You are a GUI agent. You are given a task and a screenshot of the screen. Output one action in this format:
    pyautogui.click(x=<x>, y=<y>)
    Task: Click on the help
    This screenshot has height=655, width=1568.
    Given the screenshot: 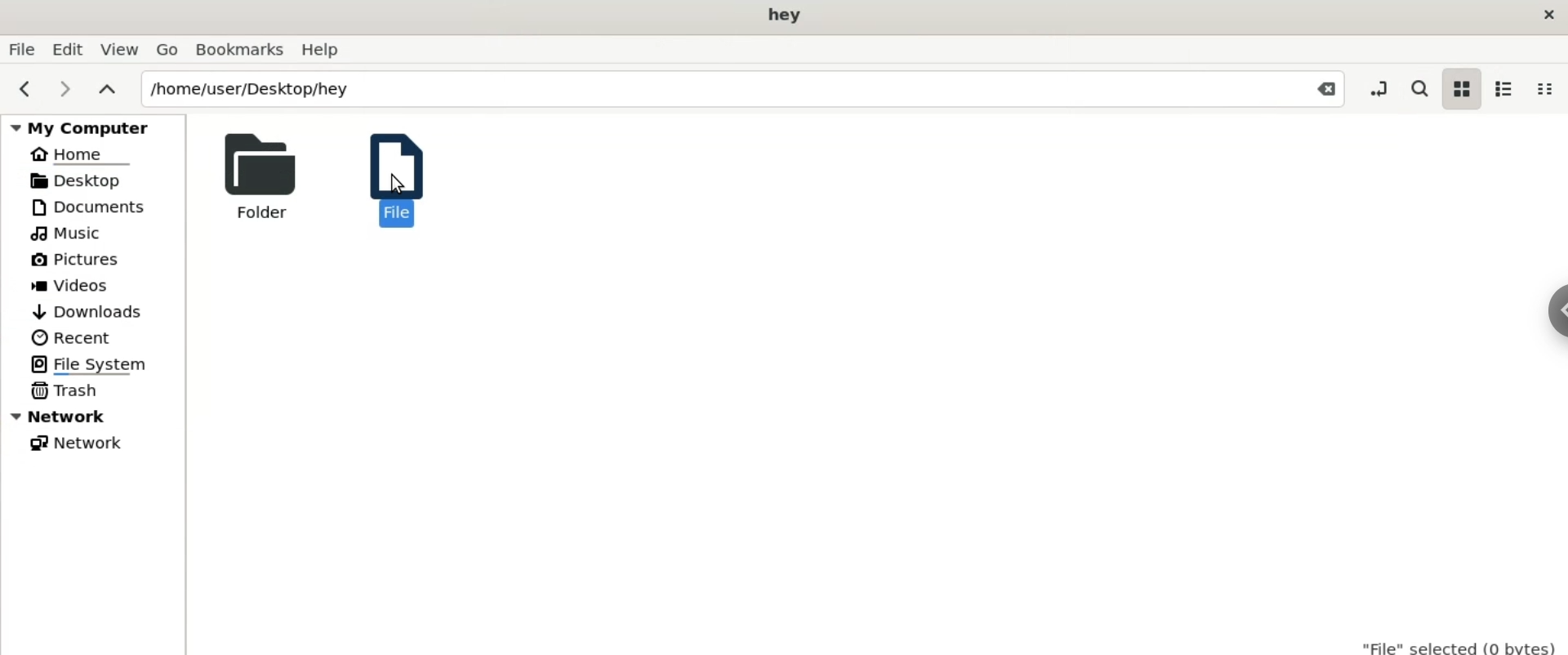 What is the action you would take?
    pyautogui.click(x=325, y=51)
    